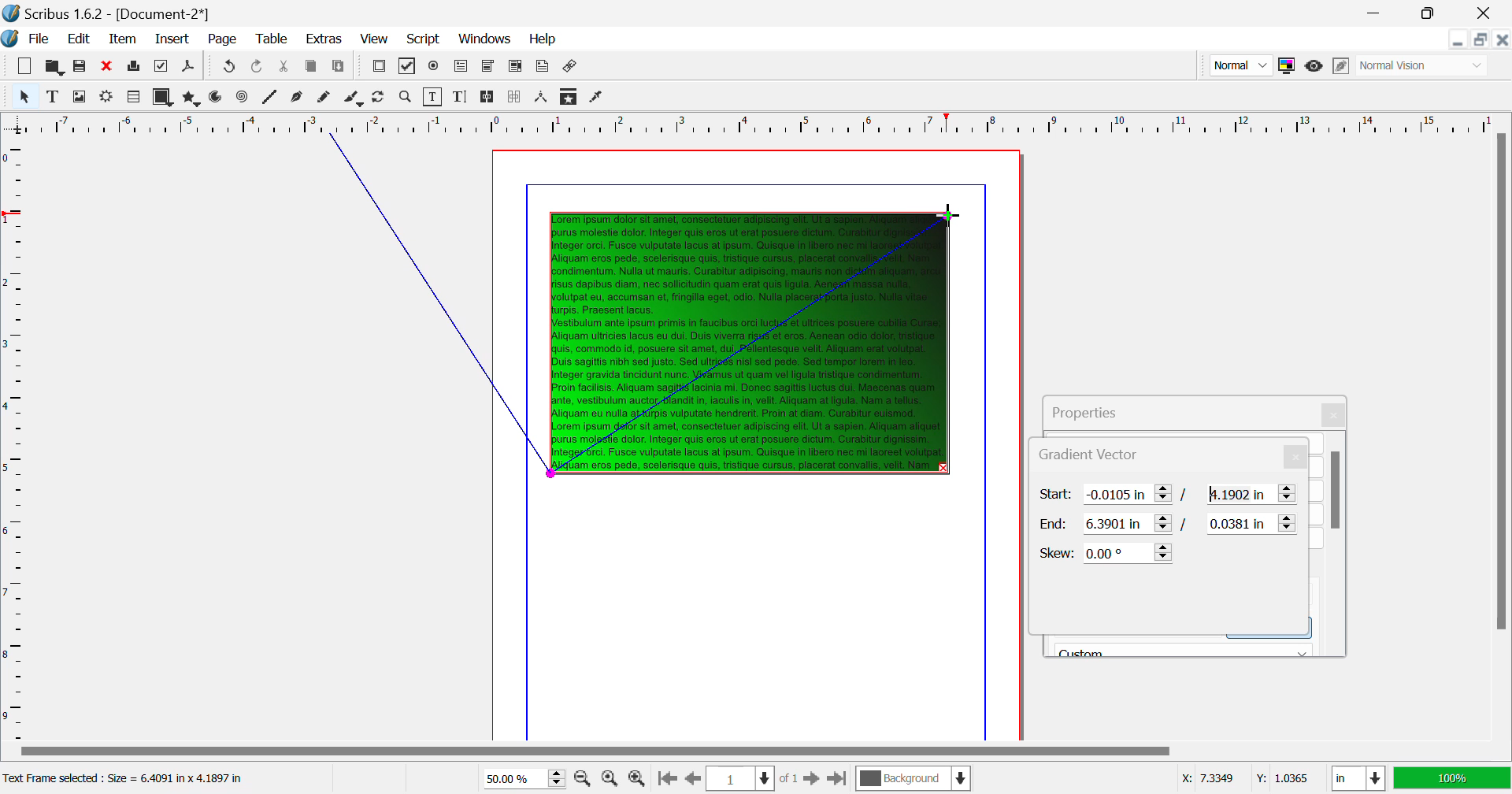  I want to click on Zoom Out, so click(584, 777).